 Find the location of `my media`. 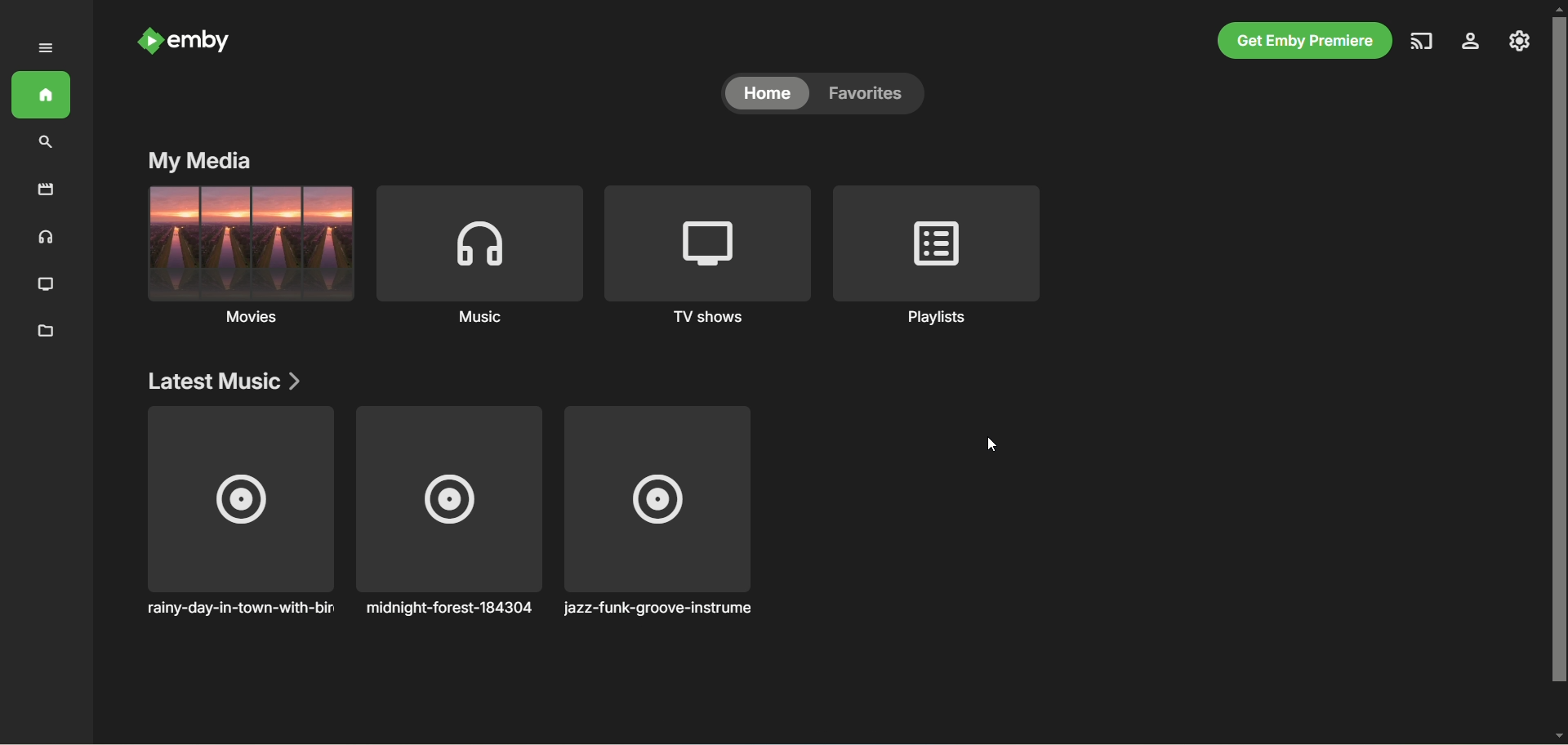

my media is located at coordinates (198, 162).